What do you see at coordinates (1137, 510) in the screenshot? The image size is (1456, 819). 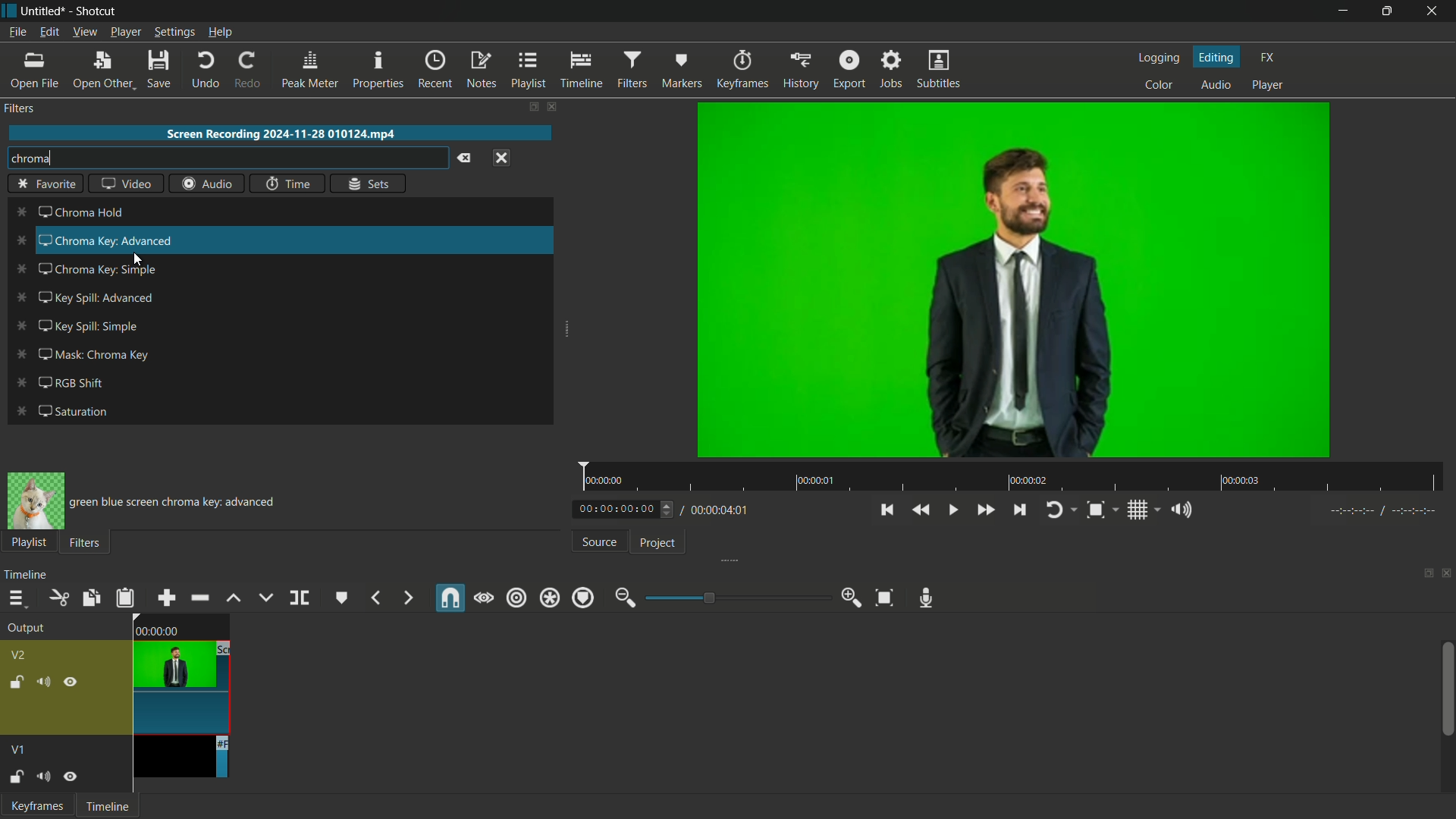 I see `toggle grid` at bounding box center [1137, 510].